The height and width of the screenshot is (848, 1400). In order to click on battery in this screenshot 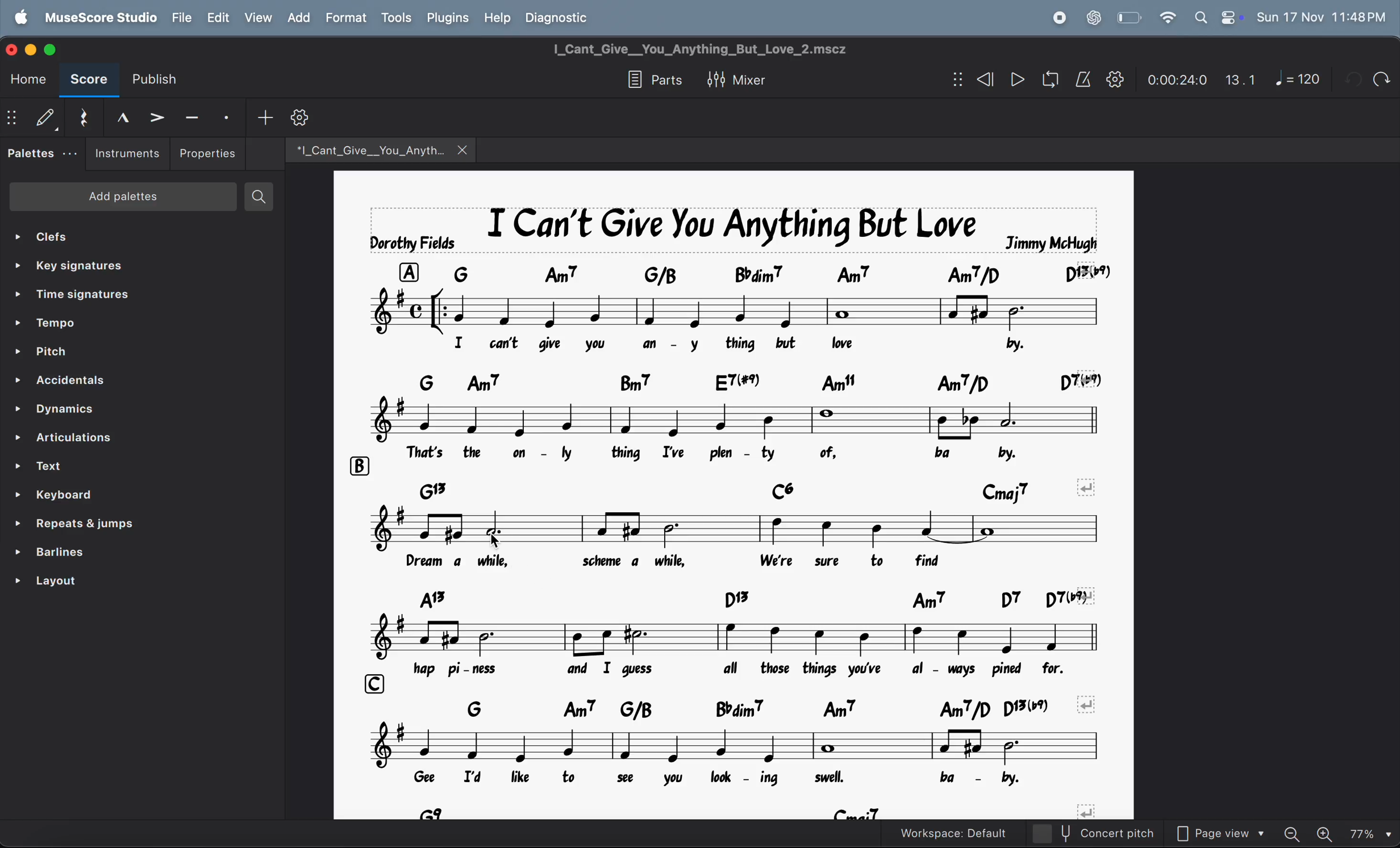, I will do `click(1130, 17)`.